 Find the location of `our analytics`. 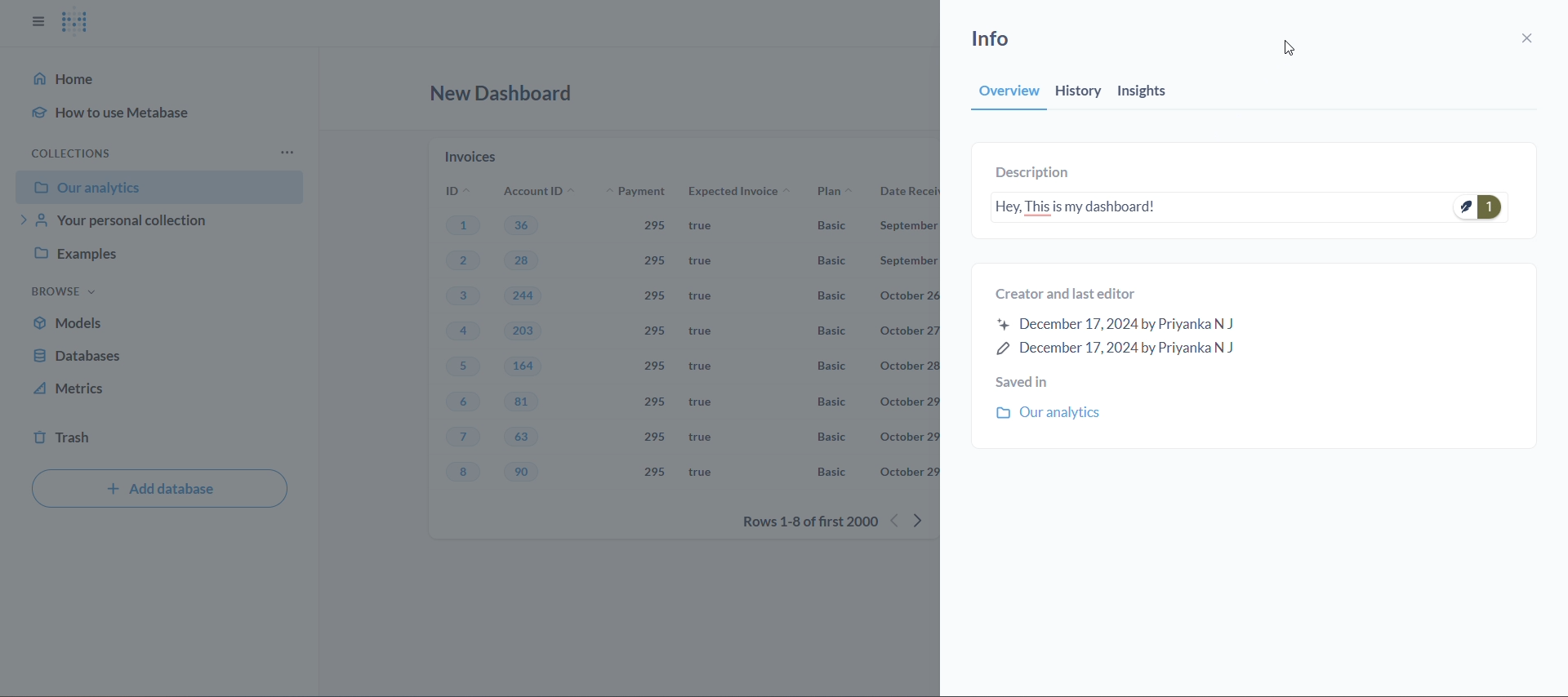

our analytics is located at coordinates (1055, 412).